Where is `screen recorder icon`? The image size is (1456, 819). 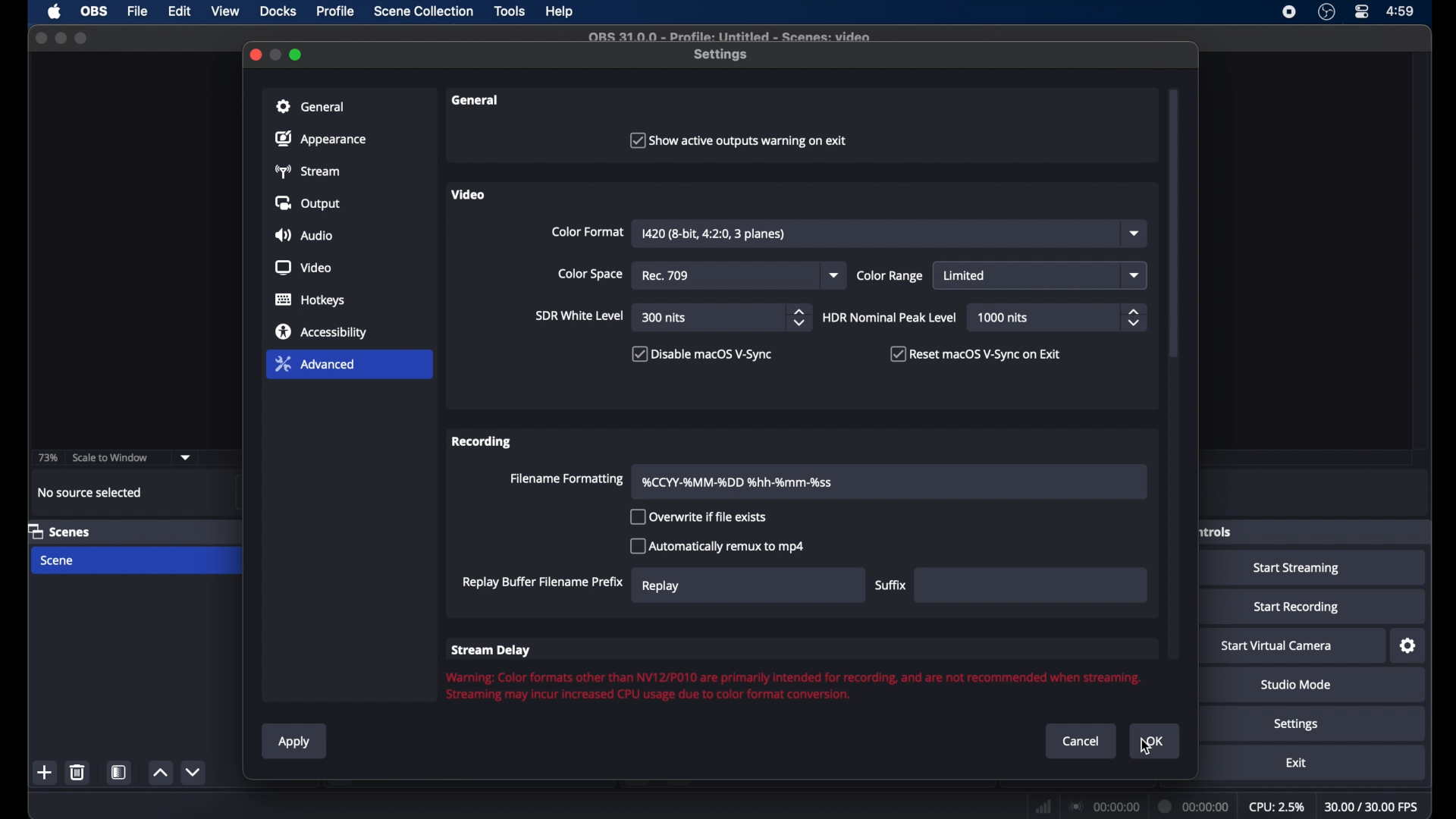
screen recorder icon is located at coordinates (1288, 12).